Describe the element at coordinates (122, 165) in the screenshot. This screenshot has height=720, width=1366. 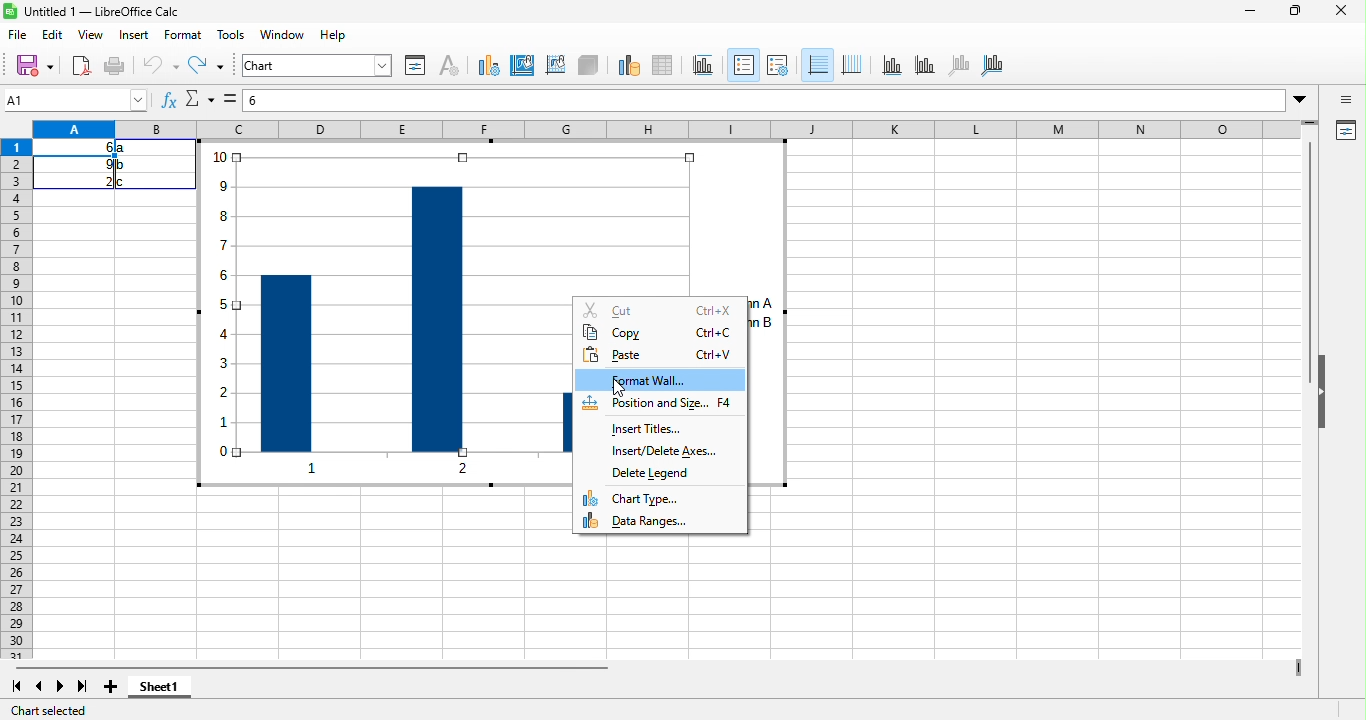
I see `b` at that location.